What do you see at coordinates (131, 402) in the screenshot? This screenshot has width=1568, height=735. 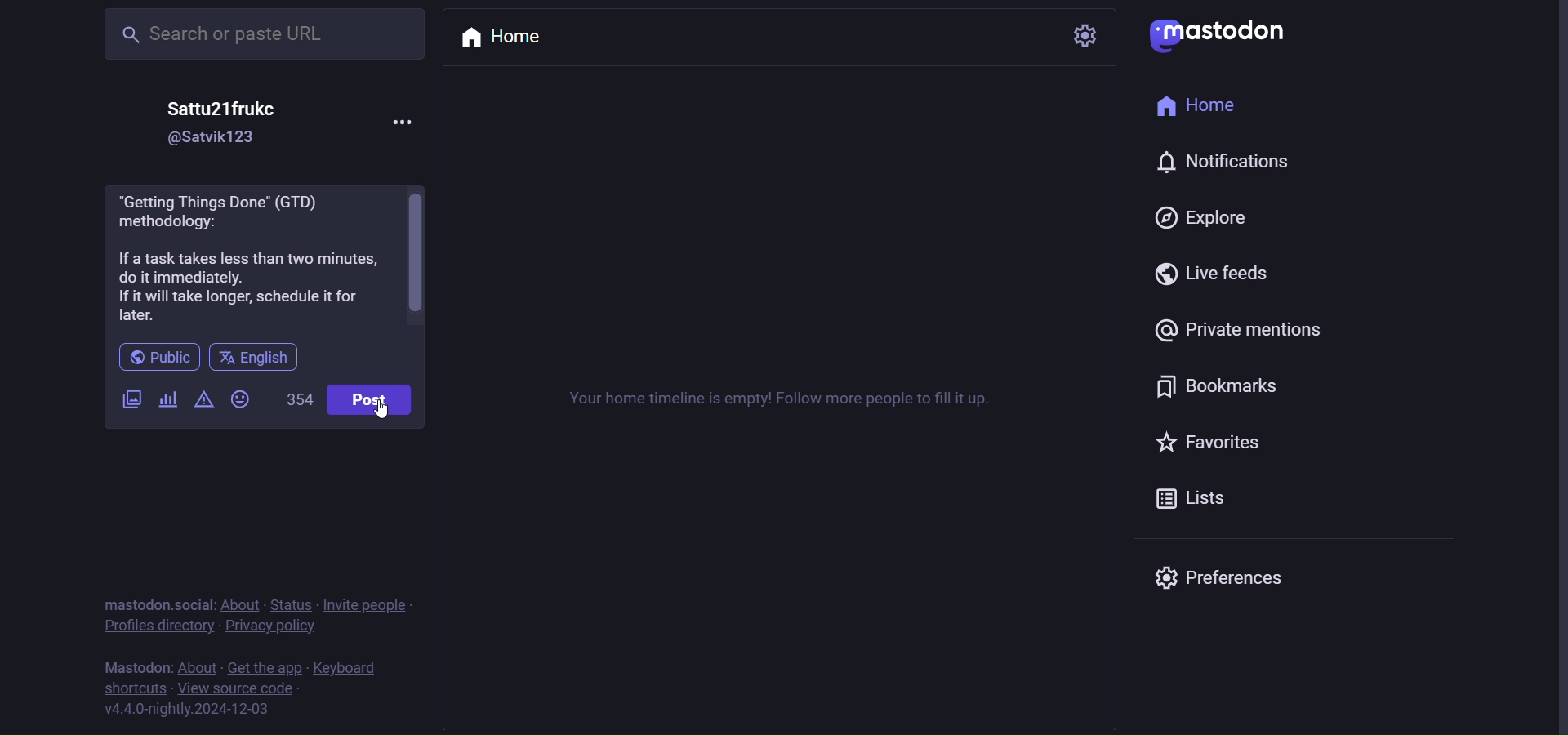 I see `images/videos` at bounding box center [131, 402].